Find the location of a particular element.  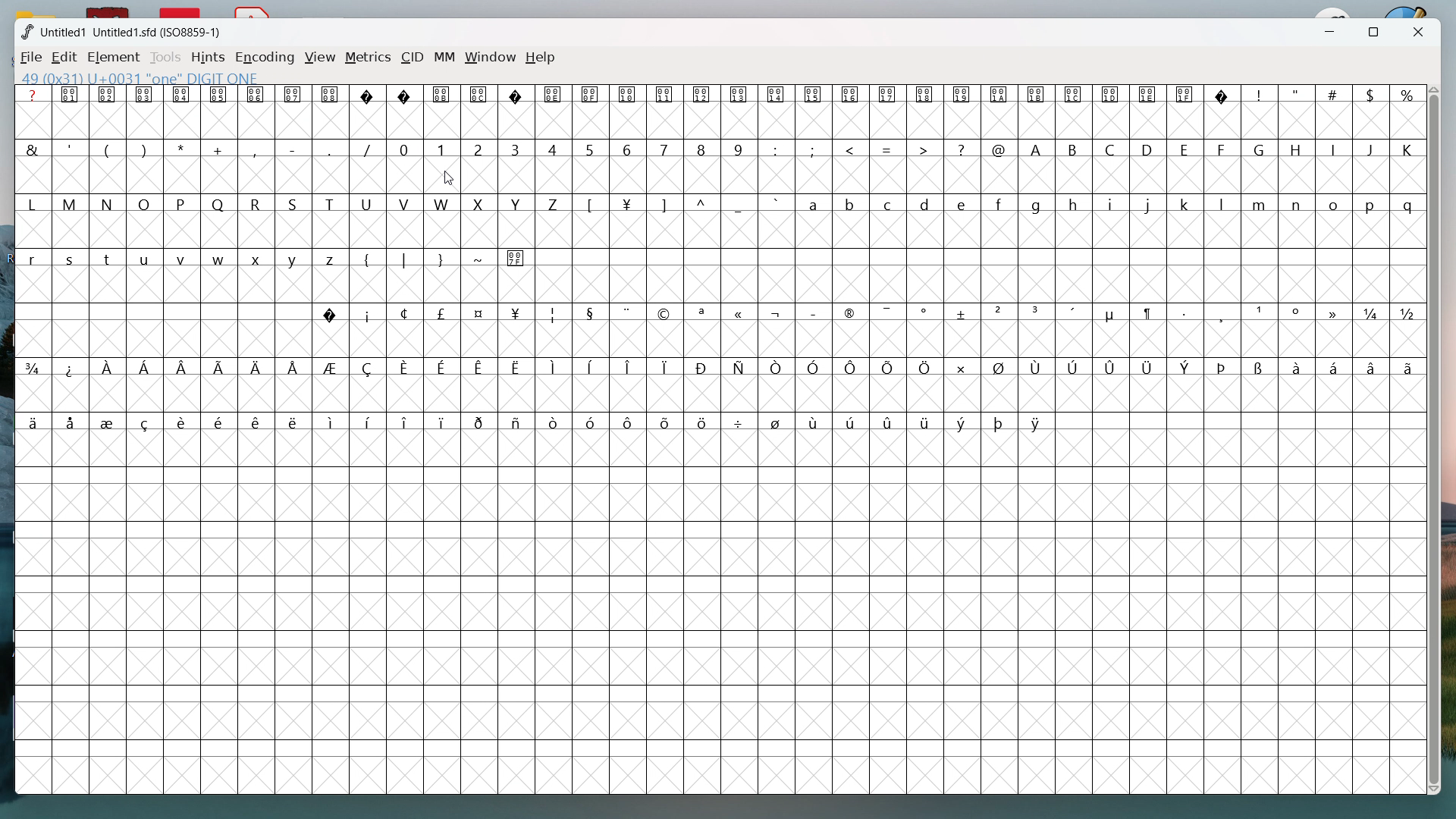

symbol is located at coordinates (886, 312).